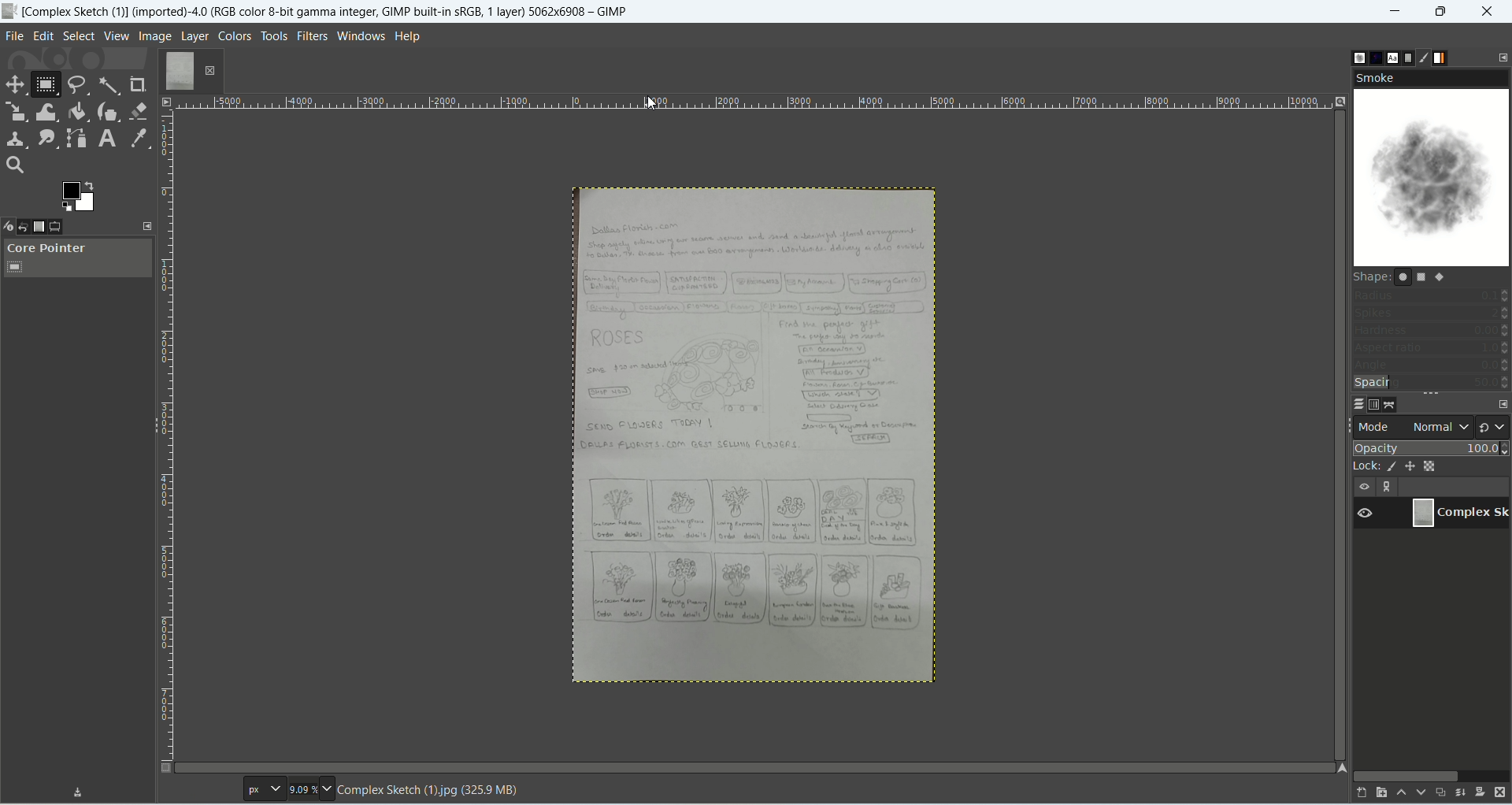 The height and width of the screenshot is (805, 1512). Describe the element at coordinates (80, 789) in the screenshot. I see `Download` at that location.